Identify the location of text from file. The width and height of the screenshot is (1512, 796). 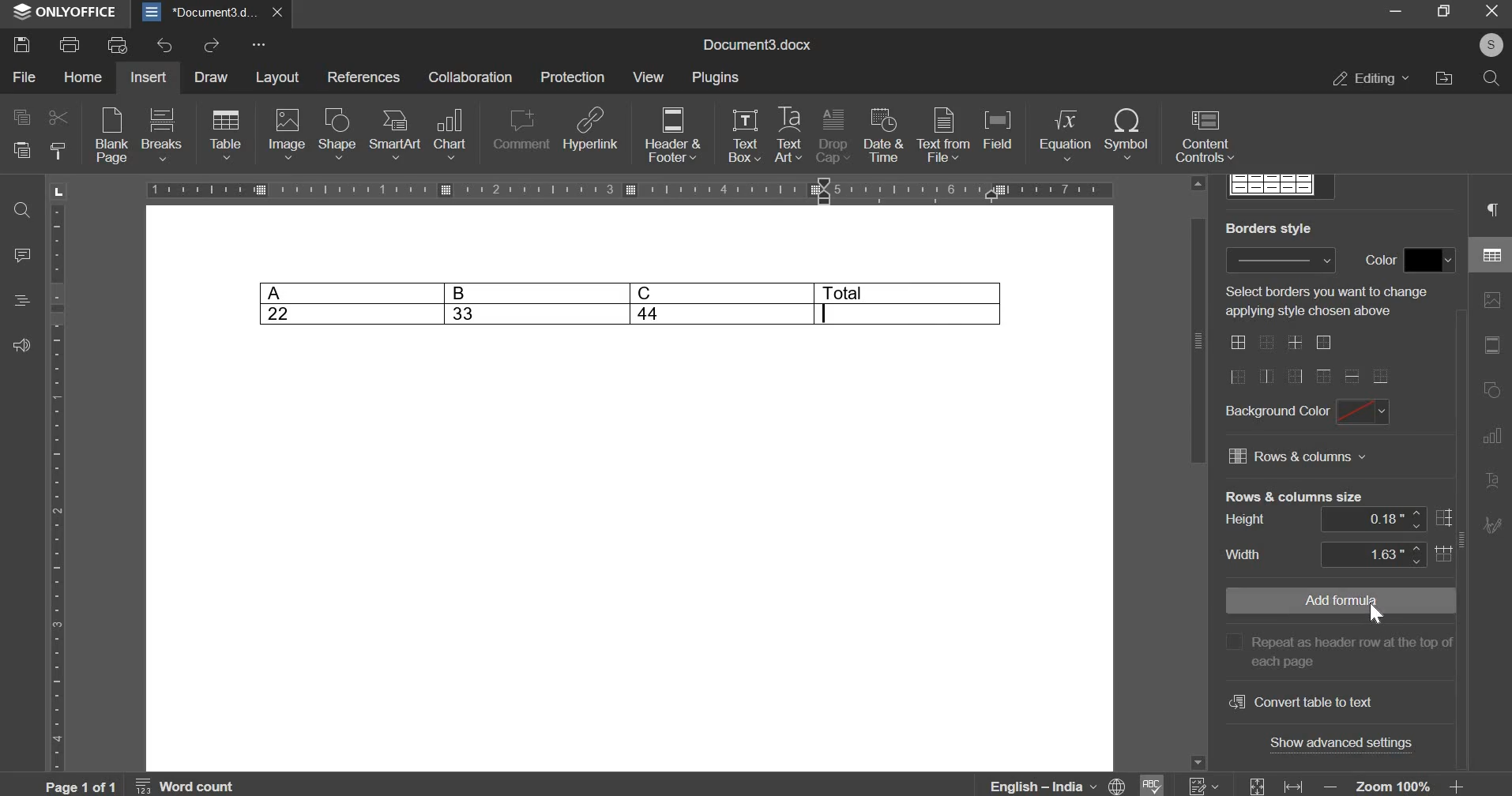
(942, 135).